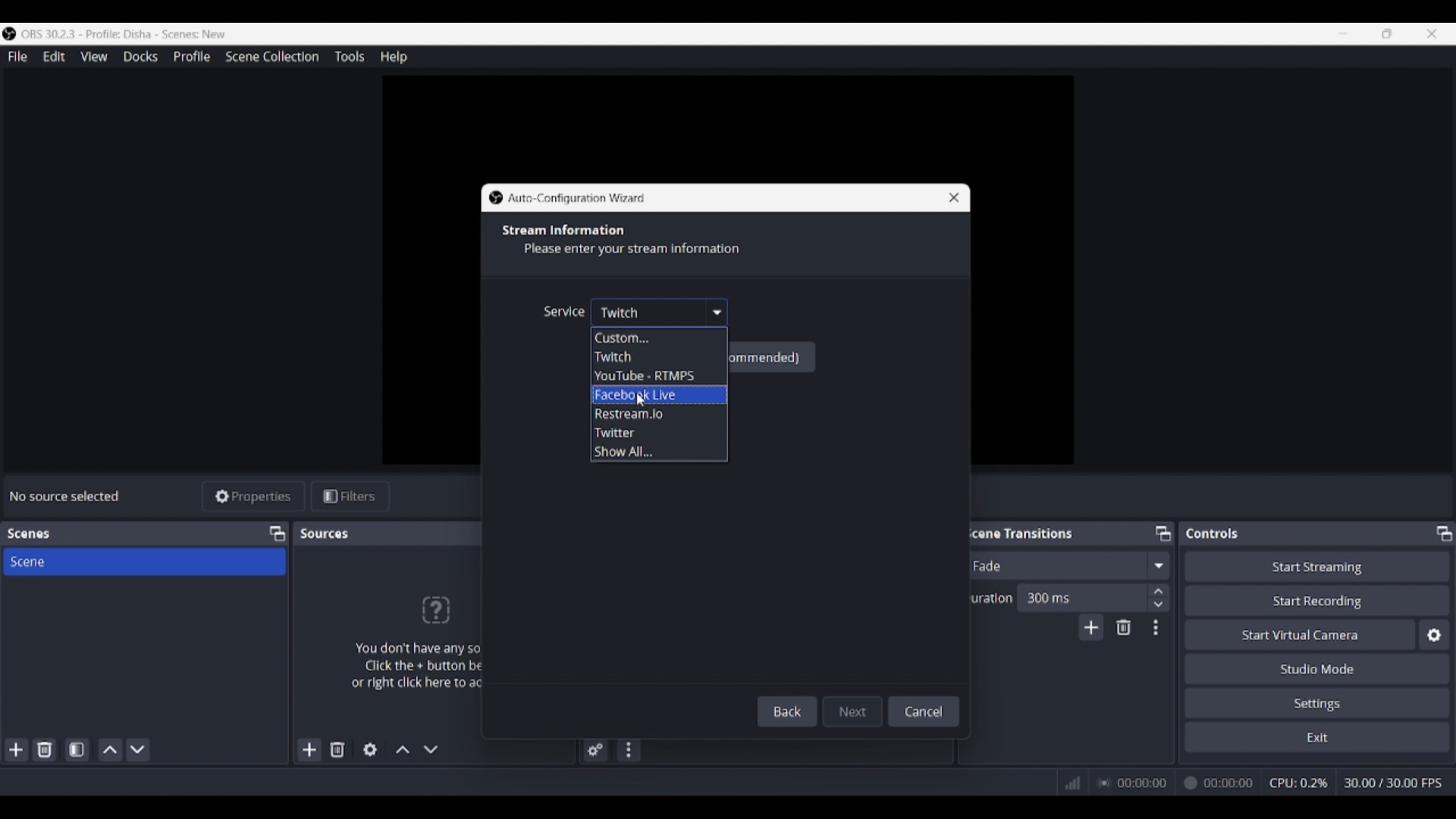  Describe the element at coordinates (254, 497) in the screenshot. I see `Properties` at that location.